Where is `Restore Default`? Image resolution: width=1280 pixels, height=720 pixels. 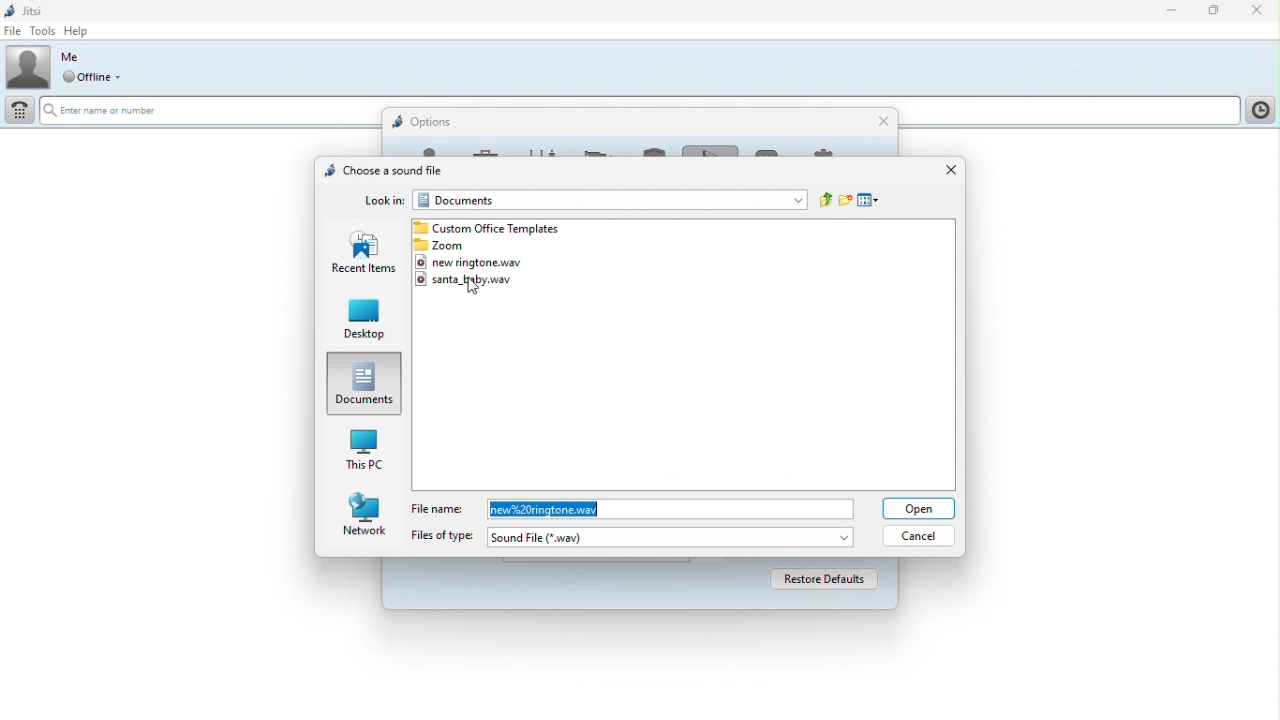 Restore Default is located at coordinates (818, 579).